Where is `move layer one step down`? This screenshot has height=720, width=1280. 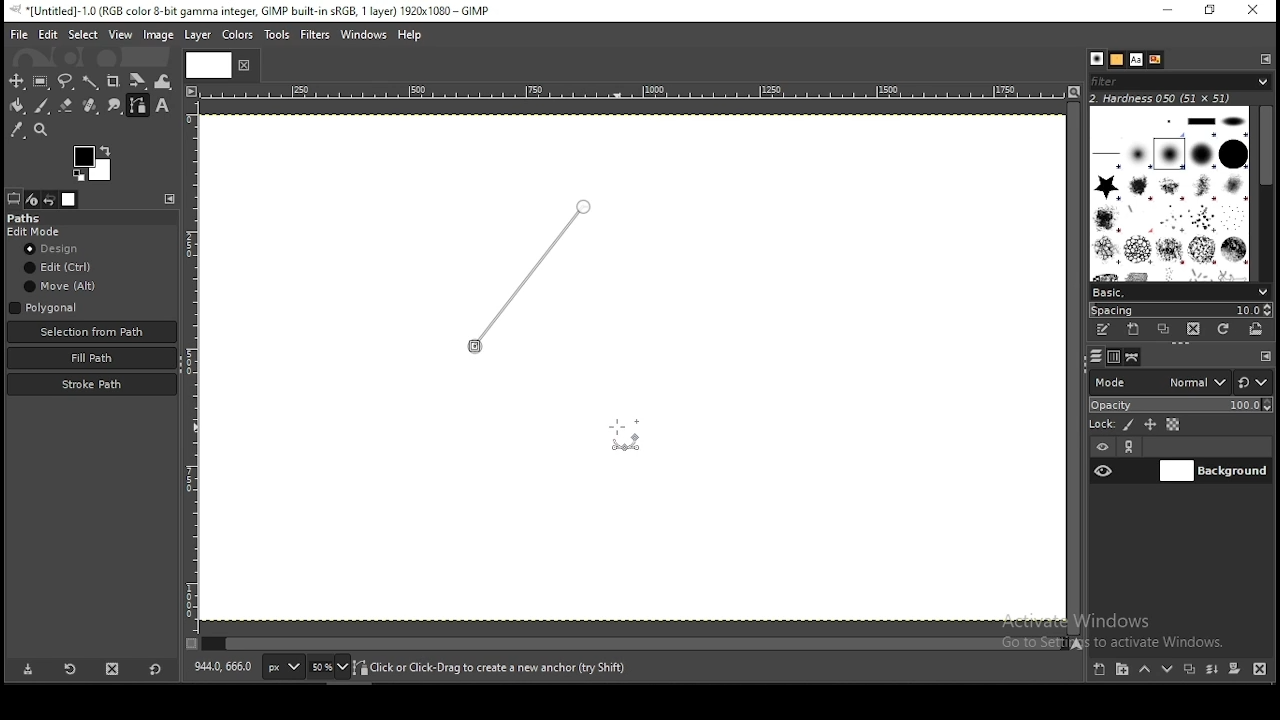
move layer one step down is located at coordinates (1168, 670).